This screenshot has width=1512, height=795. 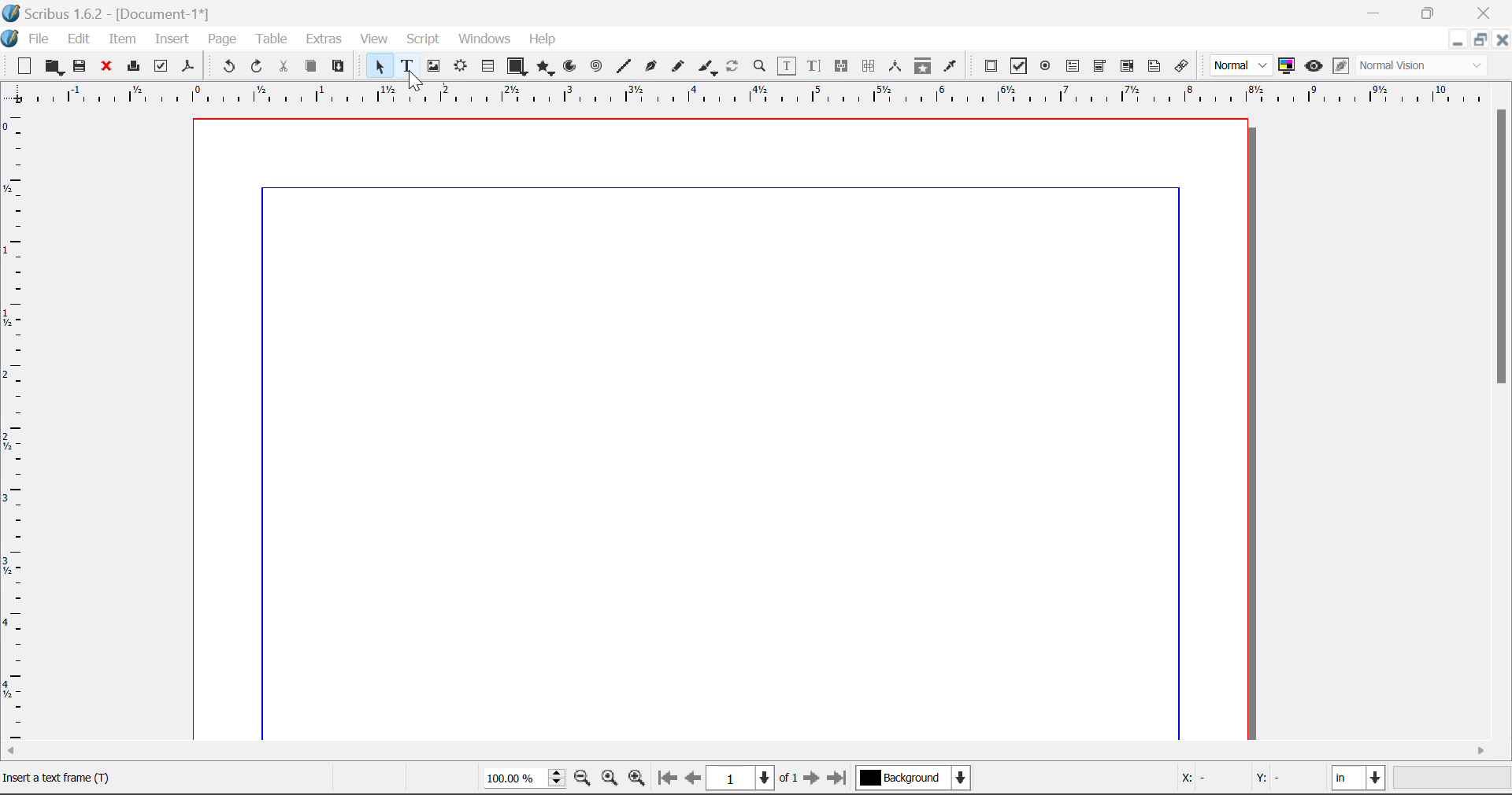 I want to click on Script, so click(x=424, y=41).